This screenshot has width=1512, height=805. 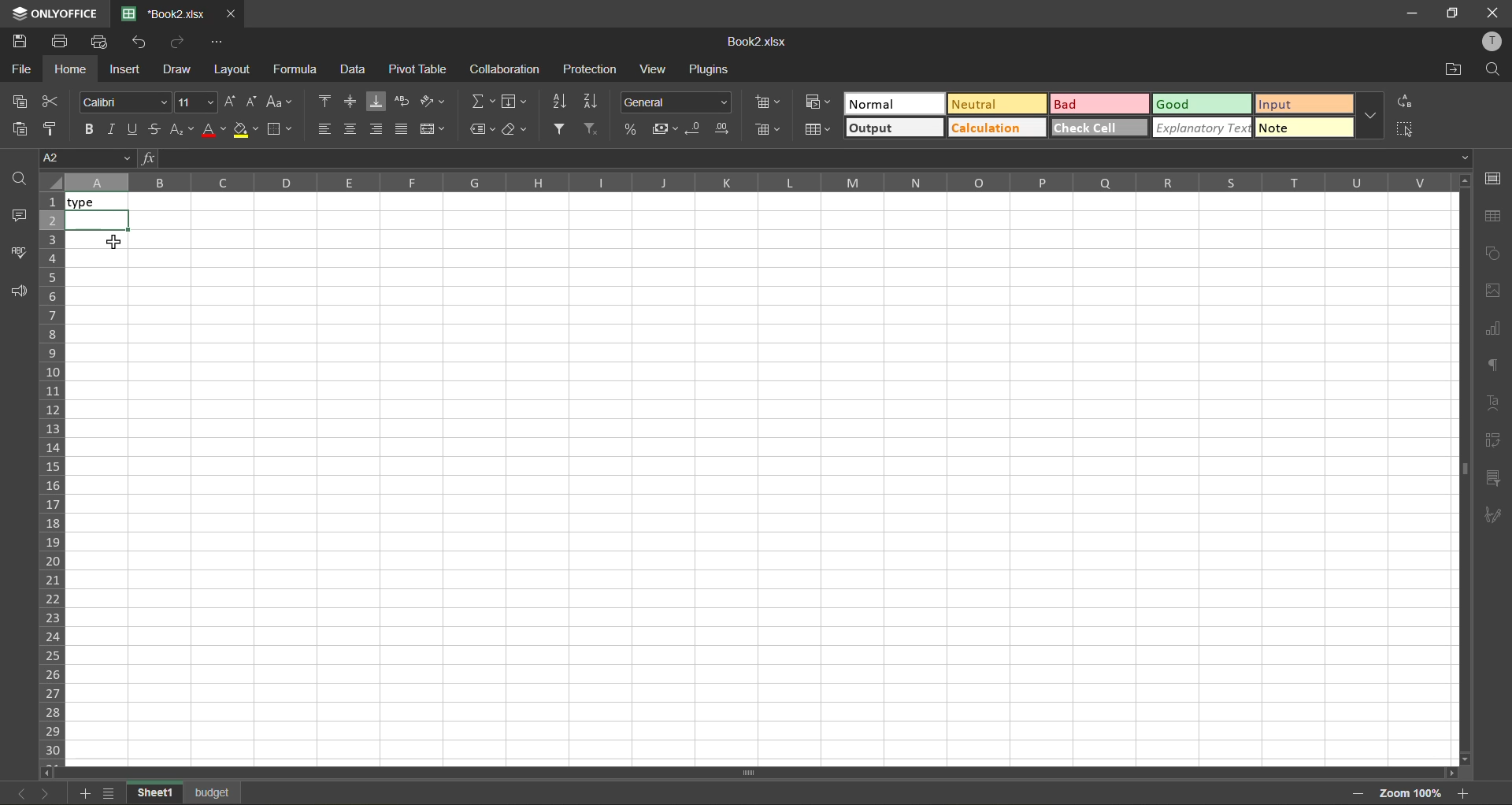 What do you see at coordinates (675, 103) in the screenshot?
I see `number format` at bounding box center [675, 103].